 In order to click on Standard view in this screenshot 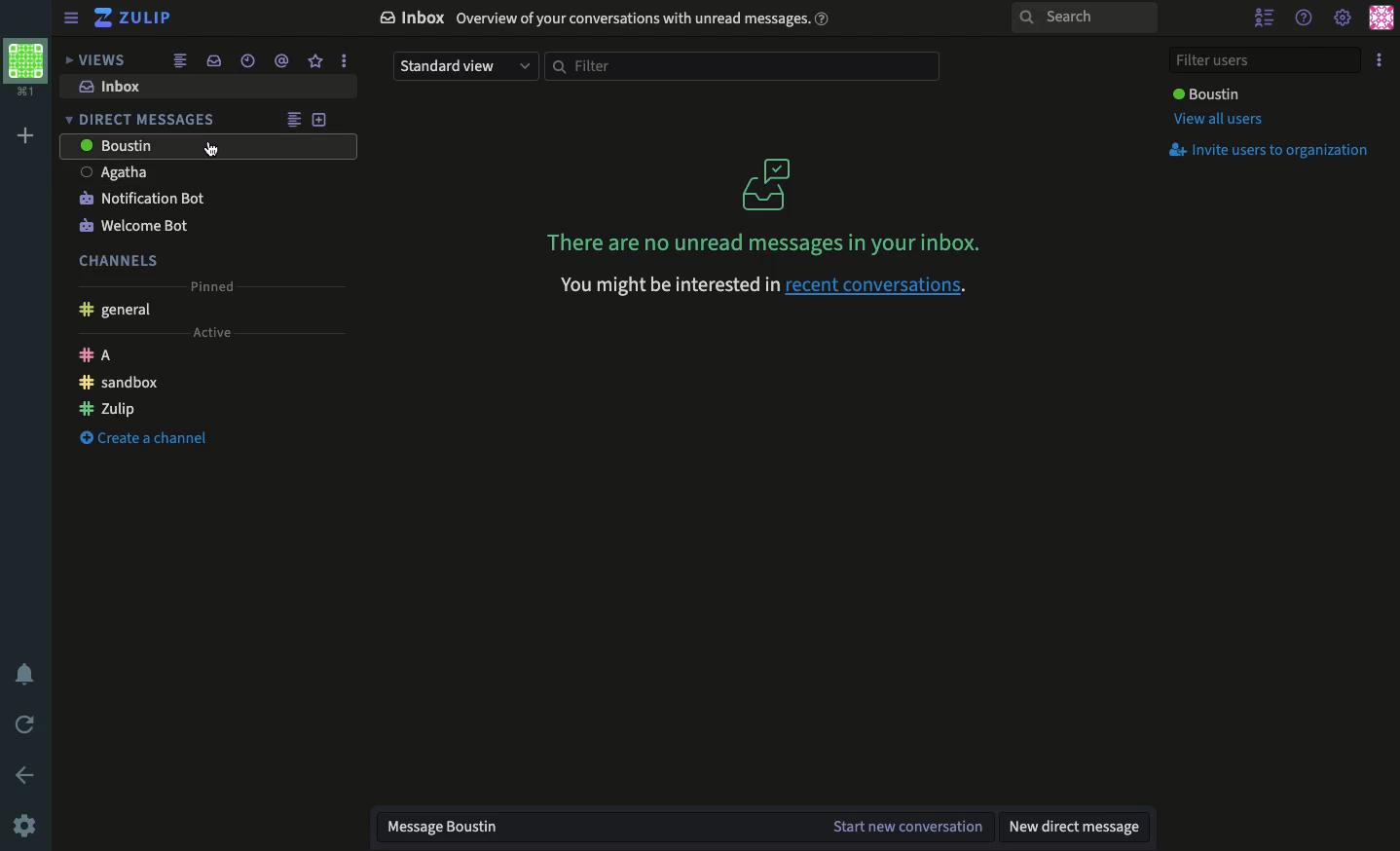, I will do `click(466, 67)`.